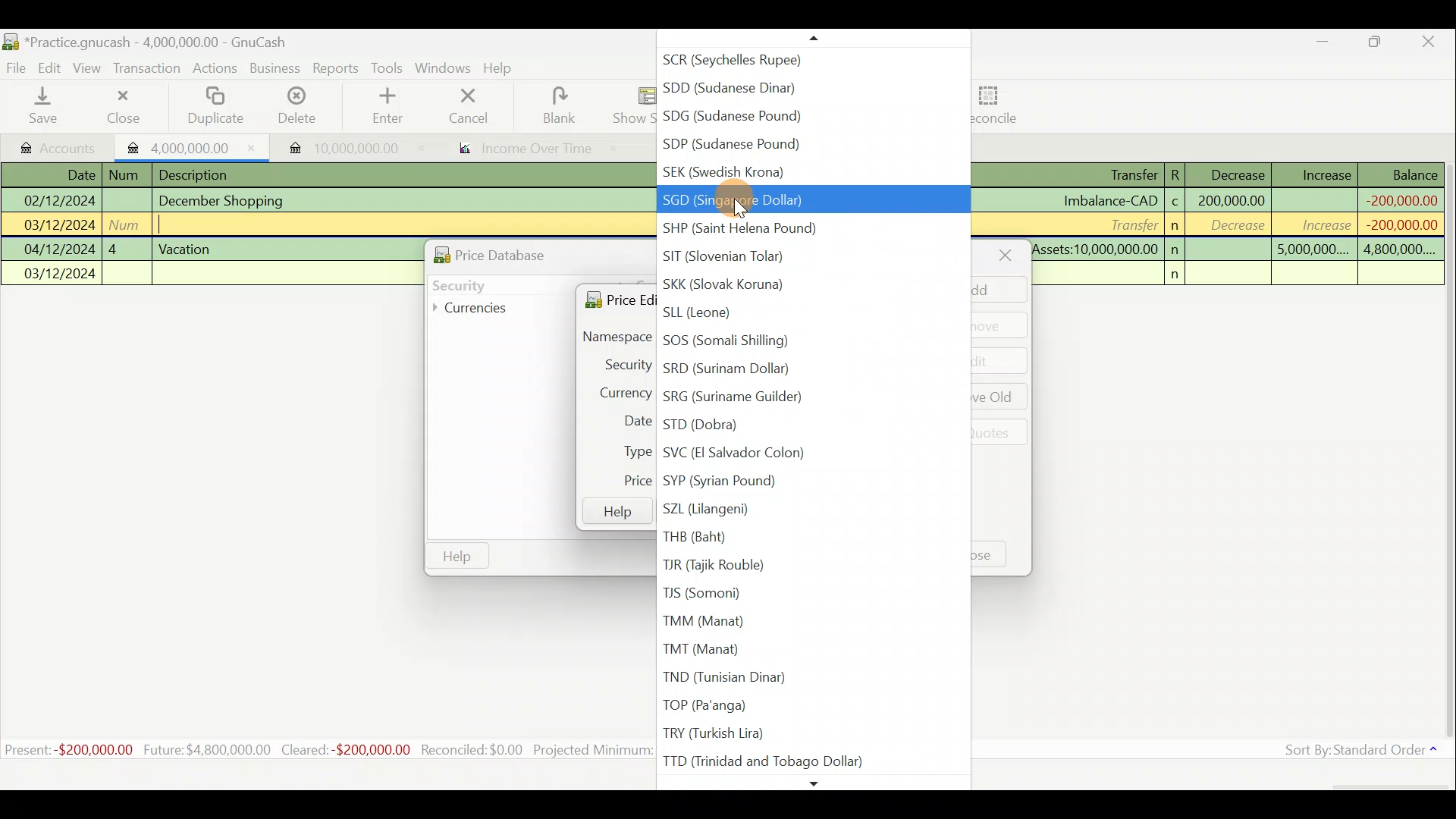  What do you see at coordinates (53, 145) in the screenshot?
I see `Accounts` at bounding box center [53, 145].